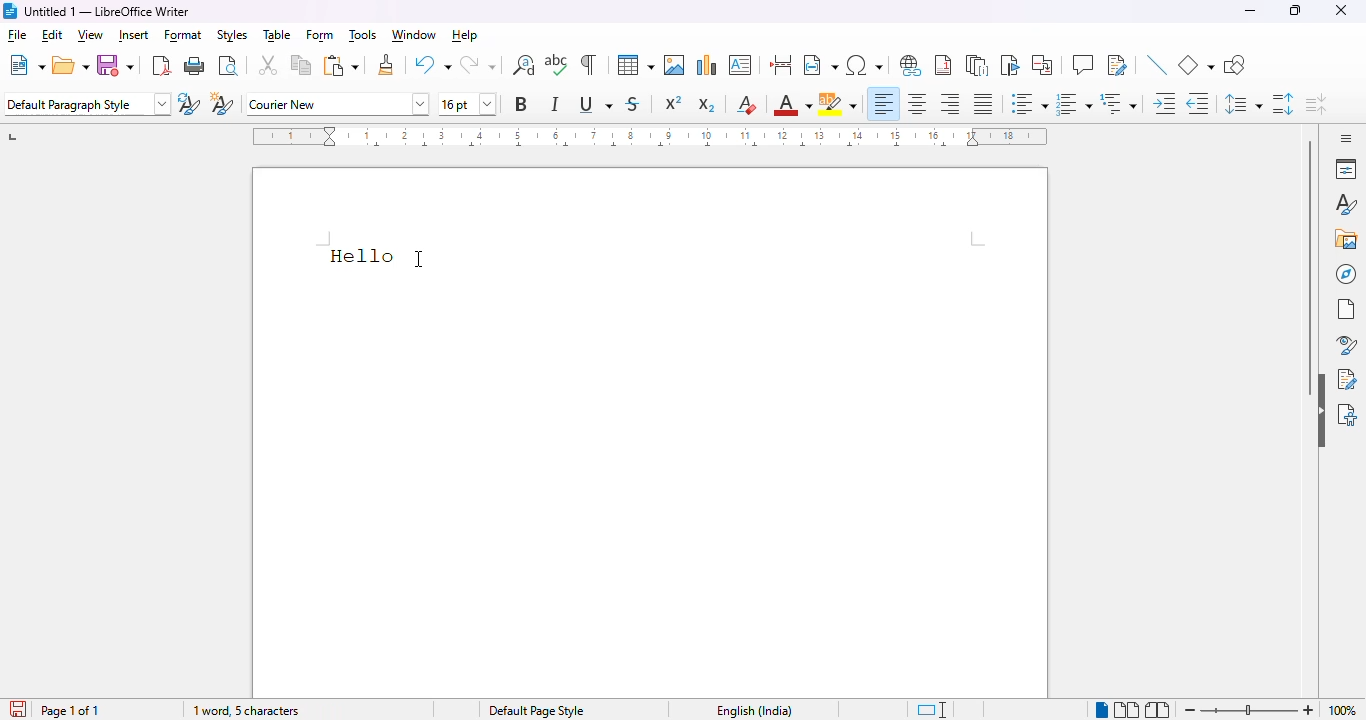 This screenshot has width=1366, height=720. I want to click on new style from selection, so click(224, 105).